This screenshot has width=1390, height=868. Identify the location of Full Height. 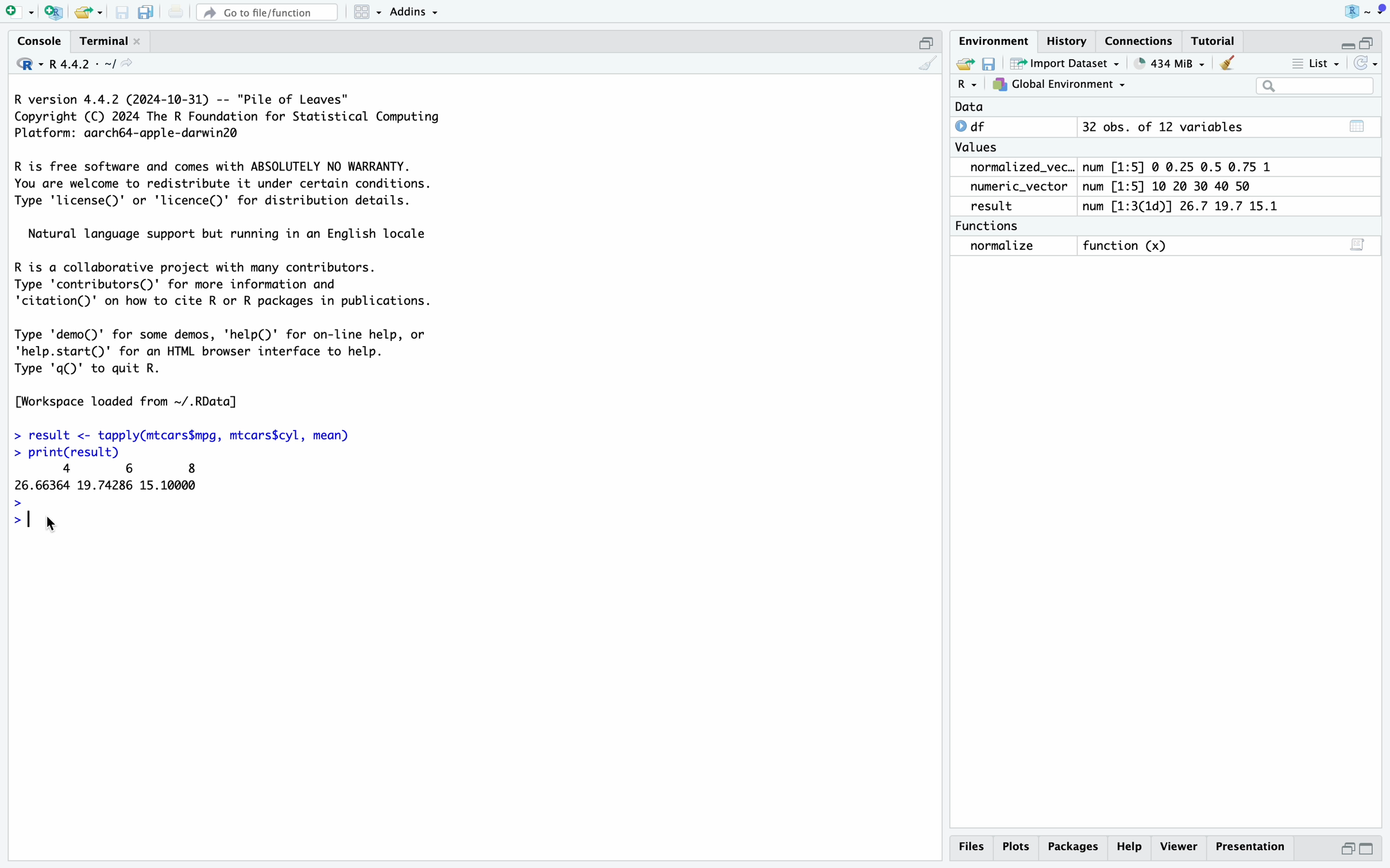
(1369, 850).